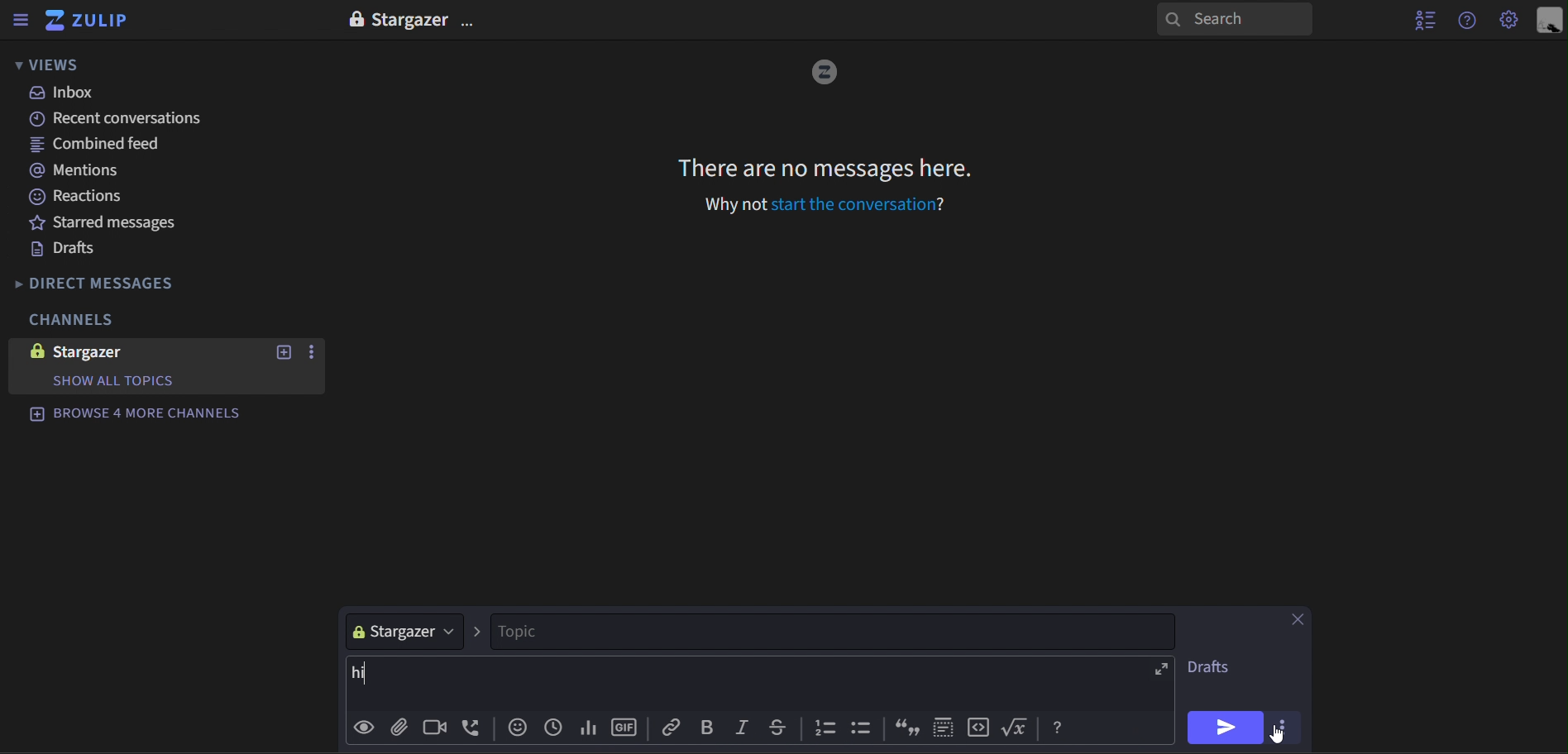 The image size is (1568, 754). Describe the element at coordinates (309, 353) in the screenshot. I see `options` at that location.